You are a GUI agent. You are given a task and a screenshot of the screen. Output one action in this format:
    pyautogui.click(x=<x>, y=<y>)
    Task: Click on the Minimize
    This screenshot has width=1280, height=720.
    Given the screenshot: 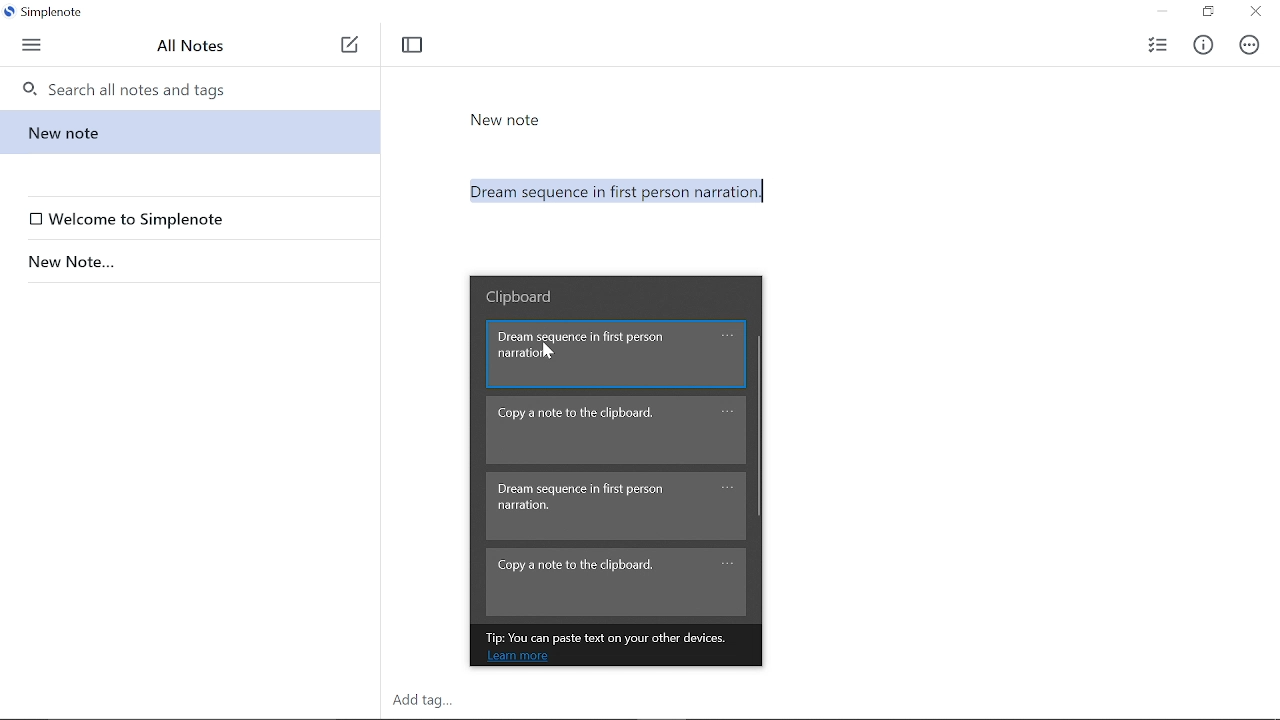 What is the action you would take?
    pyautogui.click(x=1162, y=12)
    